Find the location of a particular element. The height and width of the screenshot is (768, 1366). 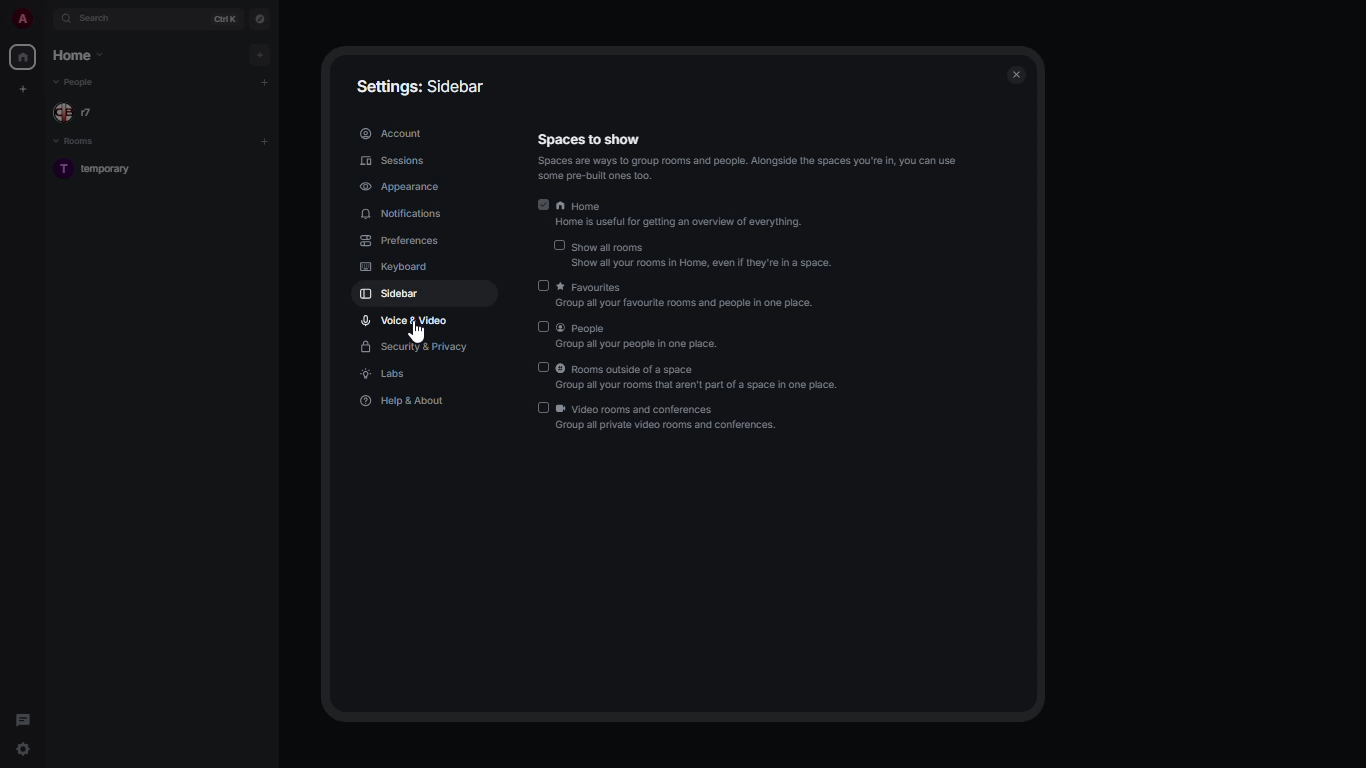

cursor is located at coordinates (24, 751).